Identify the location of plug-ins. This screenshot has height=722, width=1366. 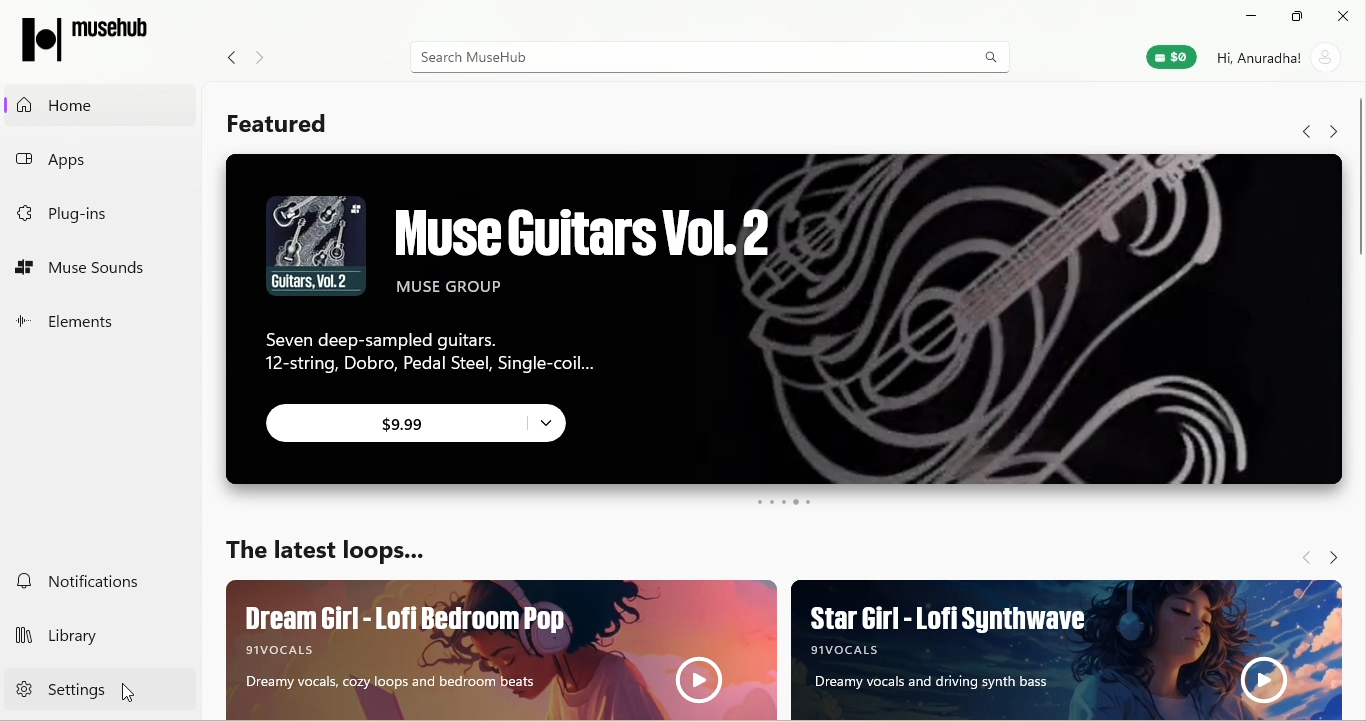
(94, 218).